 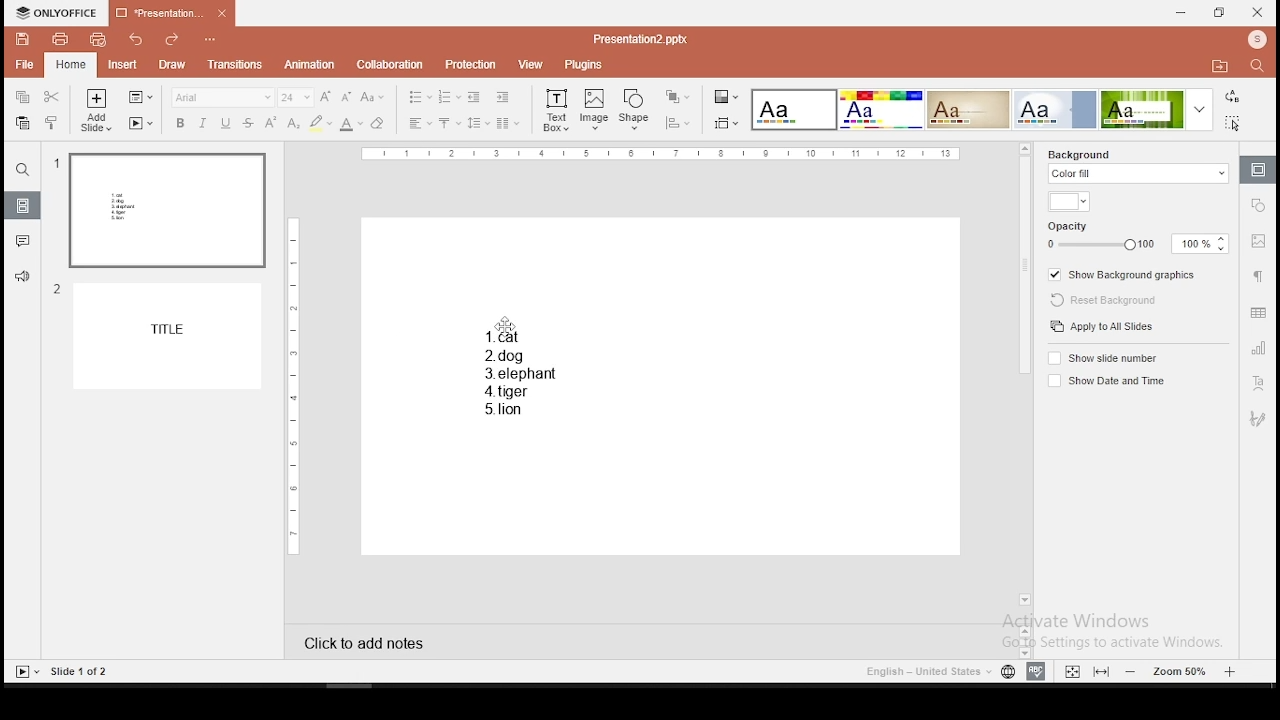 What do you see at coordinates (1006, 670) in the screenshot?
I see `language` at bounding box center [1006, 670].